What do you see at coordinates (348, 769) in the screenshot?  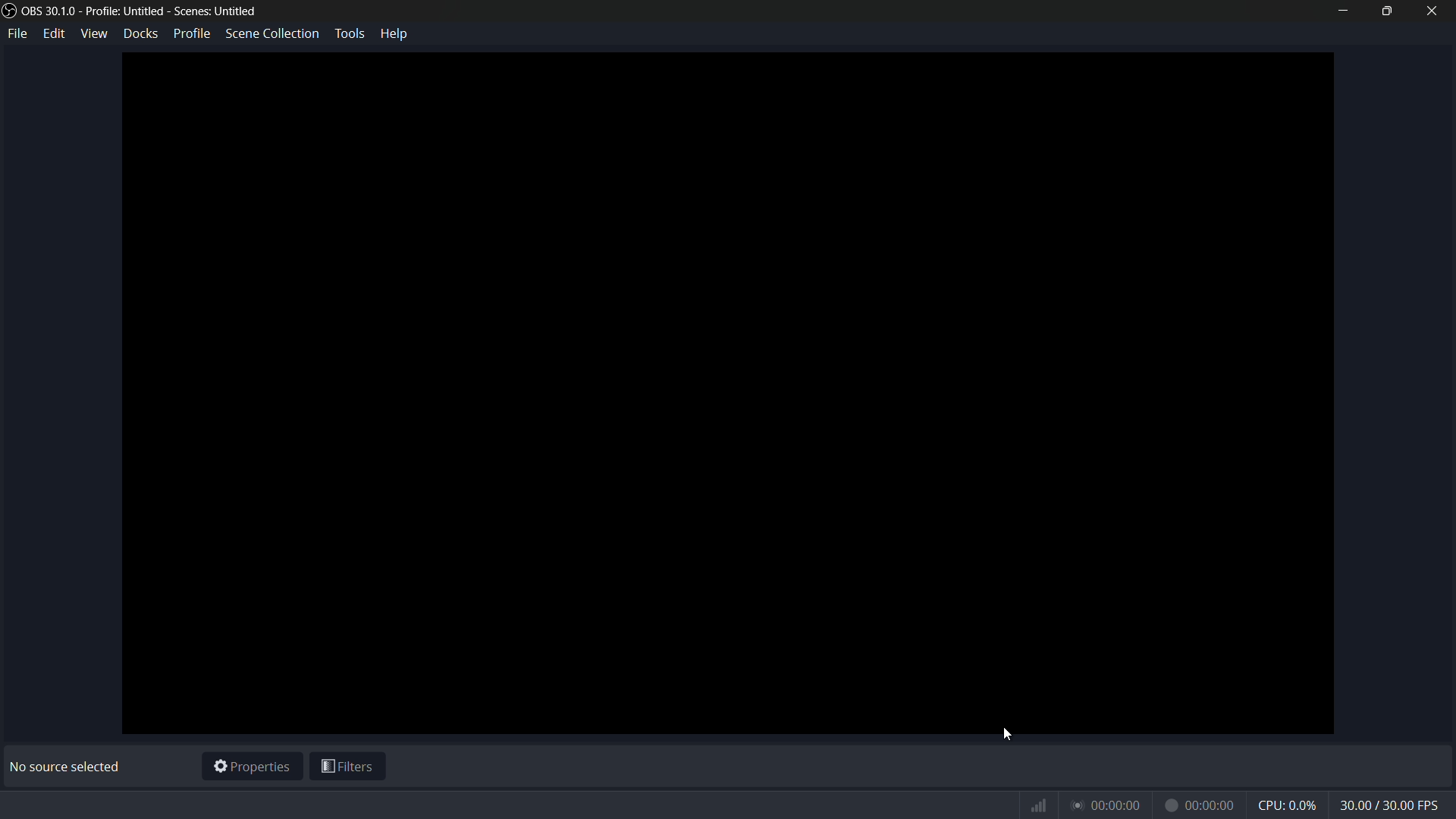 I see `filters` at bounding box center [348, 769].